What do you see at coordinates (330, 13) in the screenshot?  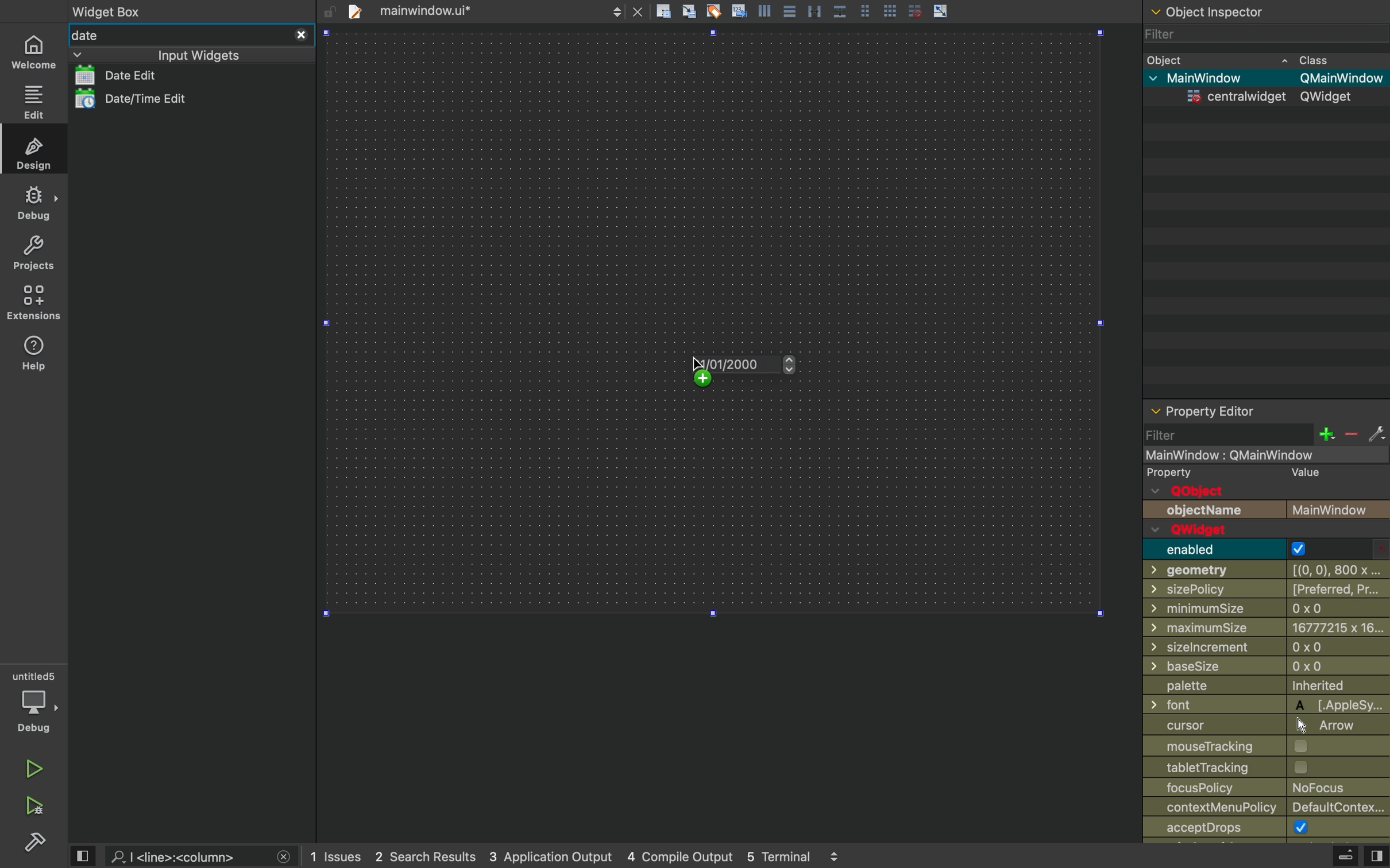 I see `unlock` at bounding box center [330, 13].